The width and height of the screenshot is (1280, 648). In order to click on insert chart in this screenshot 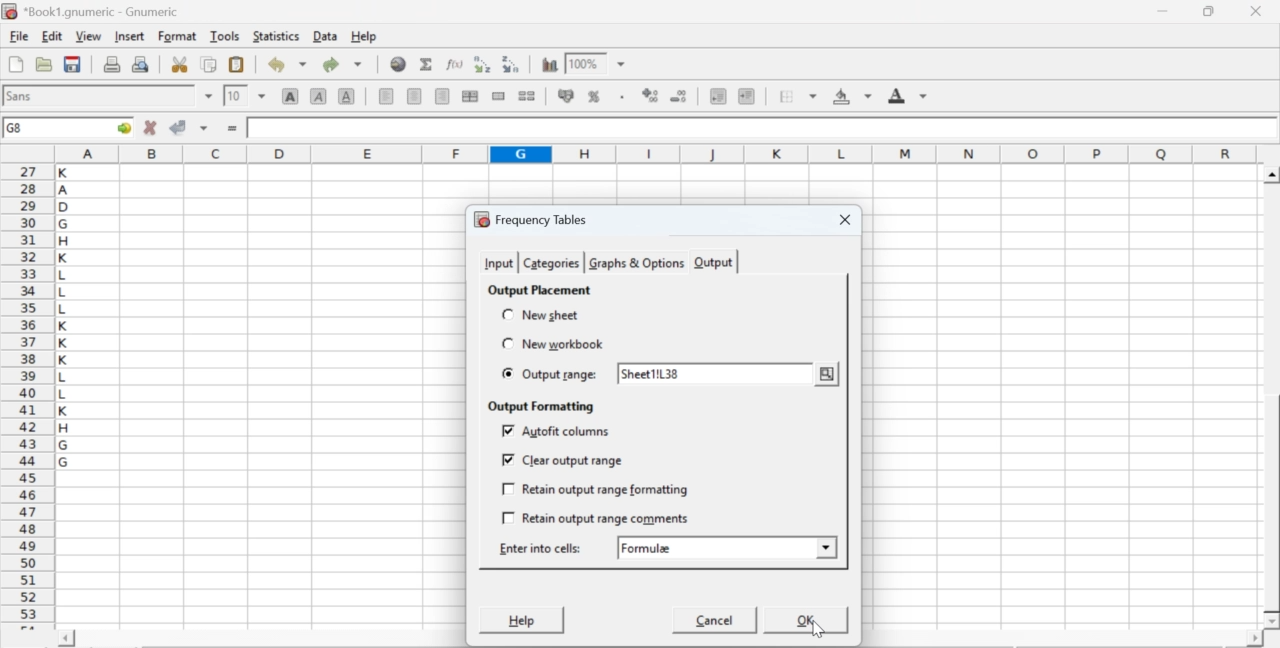, I will do `click(550, 63)`.